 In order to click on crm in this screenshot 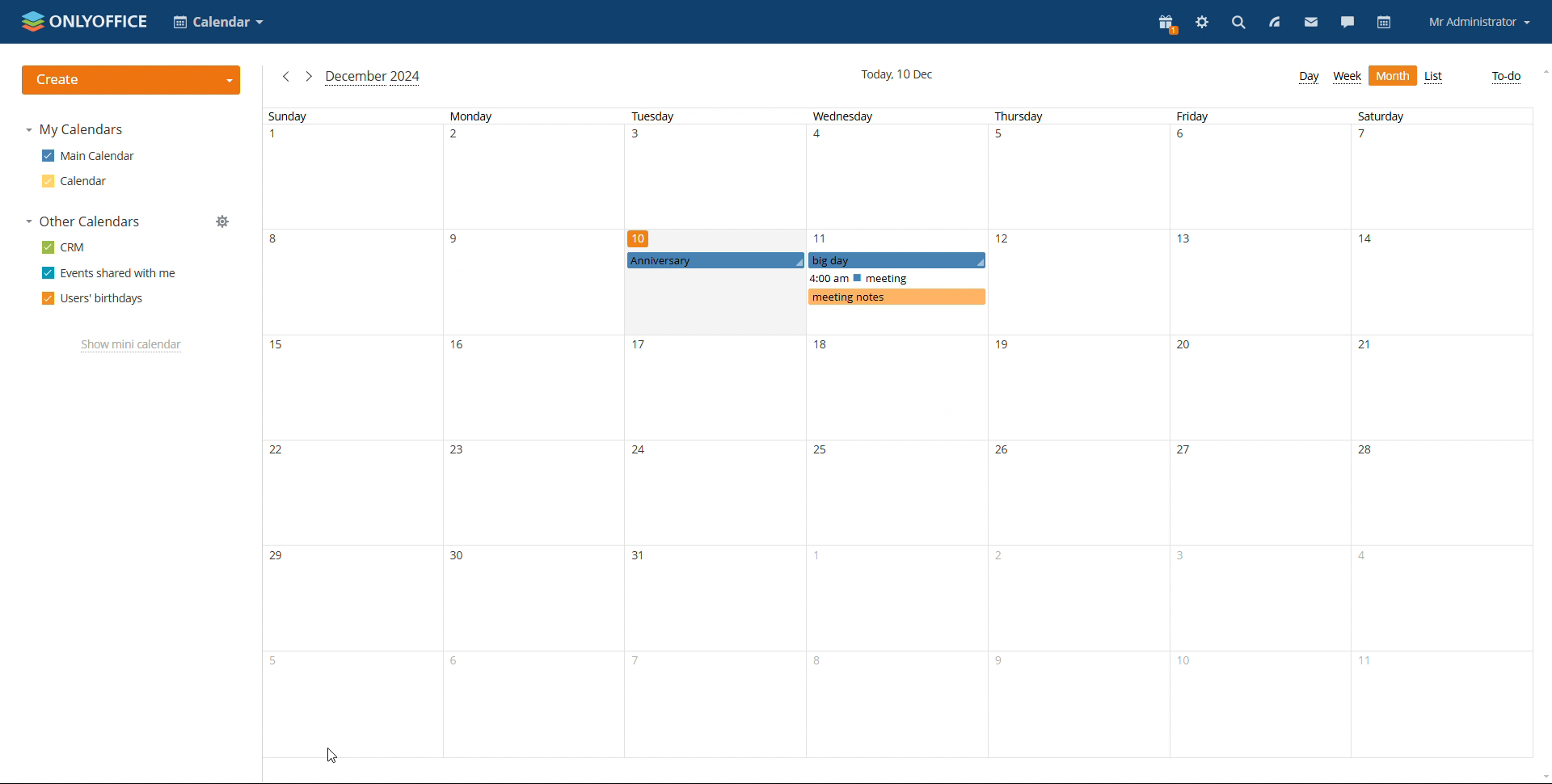, I will do `click(64, 247)`.